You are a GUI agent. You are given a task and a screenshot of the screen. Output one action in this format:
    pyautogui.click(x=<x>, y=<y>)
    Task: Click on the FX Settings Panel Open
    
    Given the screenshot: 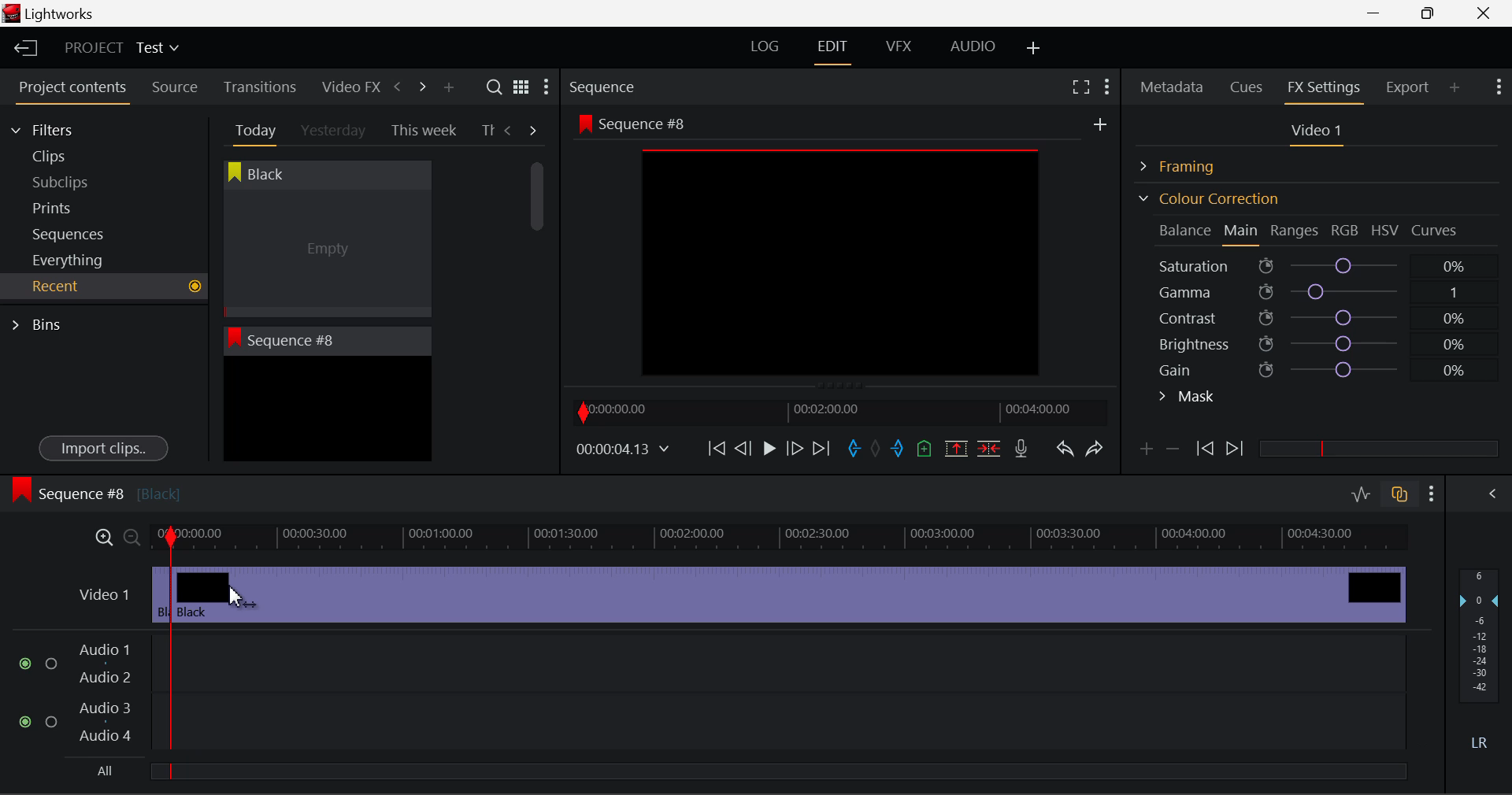 What is the action you would take?
    pyautogui.click(x=1325, y=89)
    